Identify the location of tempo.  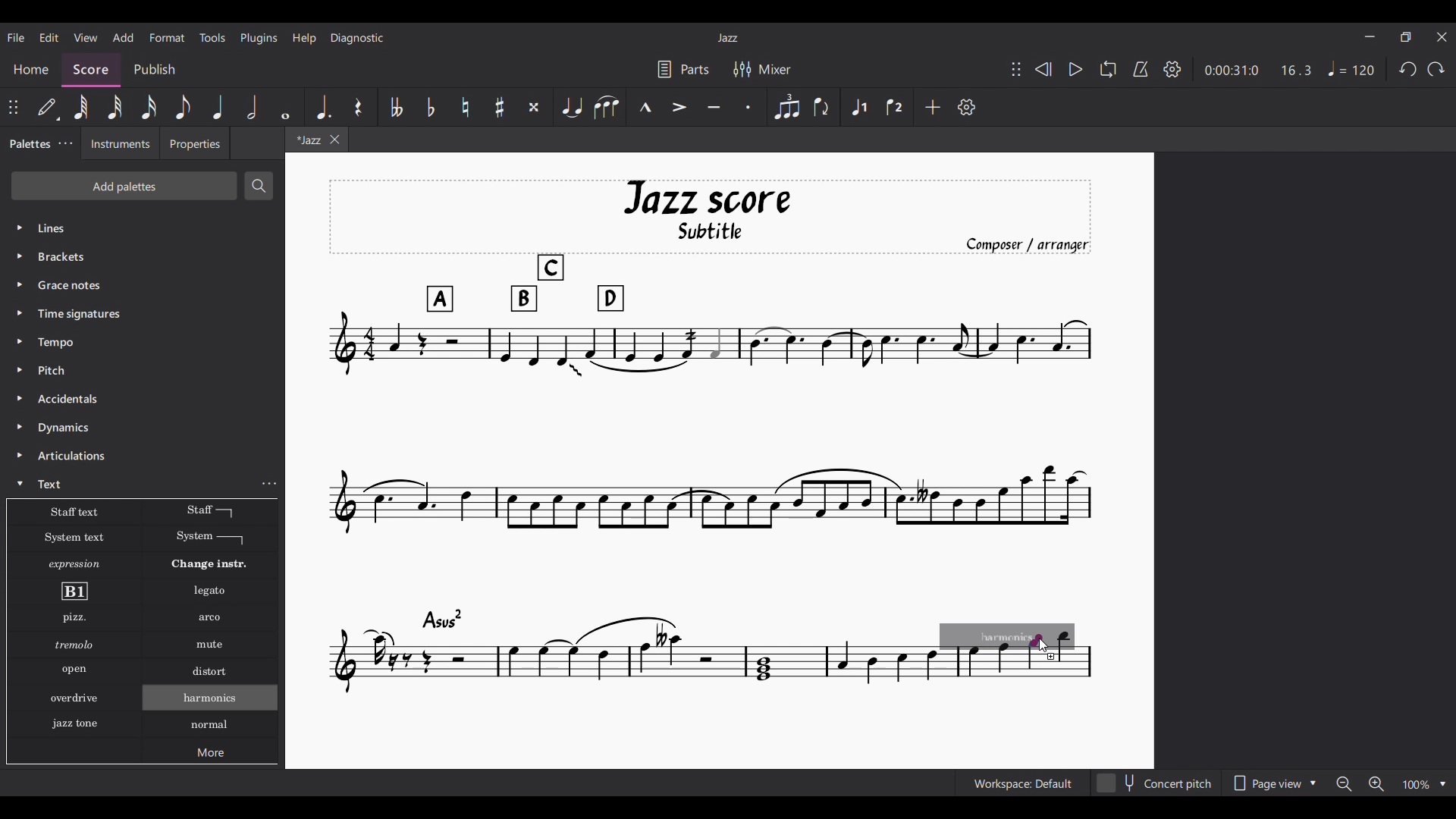
(59, 342).